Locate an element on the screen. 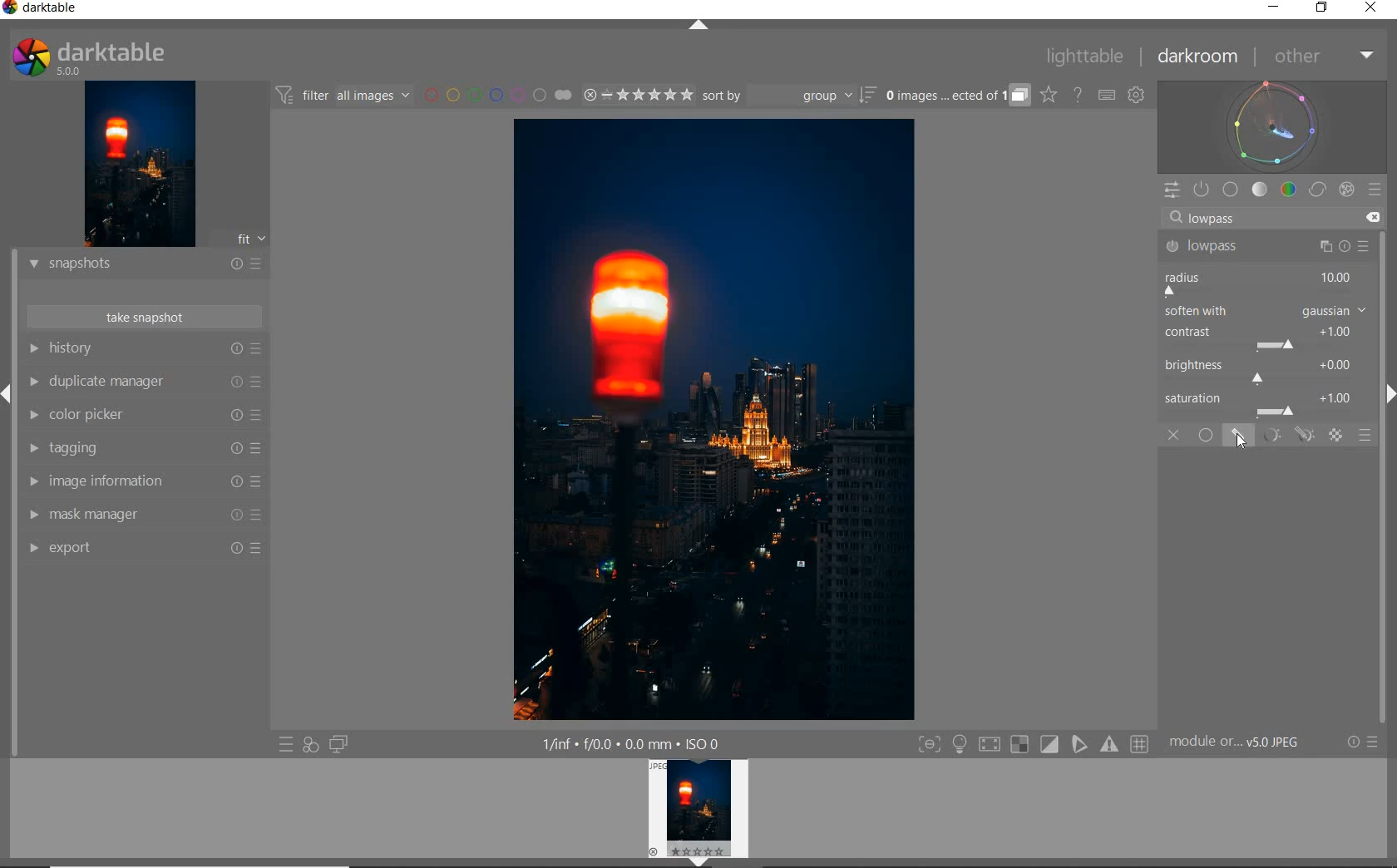  BRIGHTNESS is located at coordinates (1265, 370).